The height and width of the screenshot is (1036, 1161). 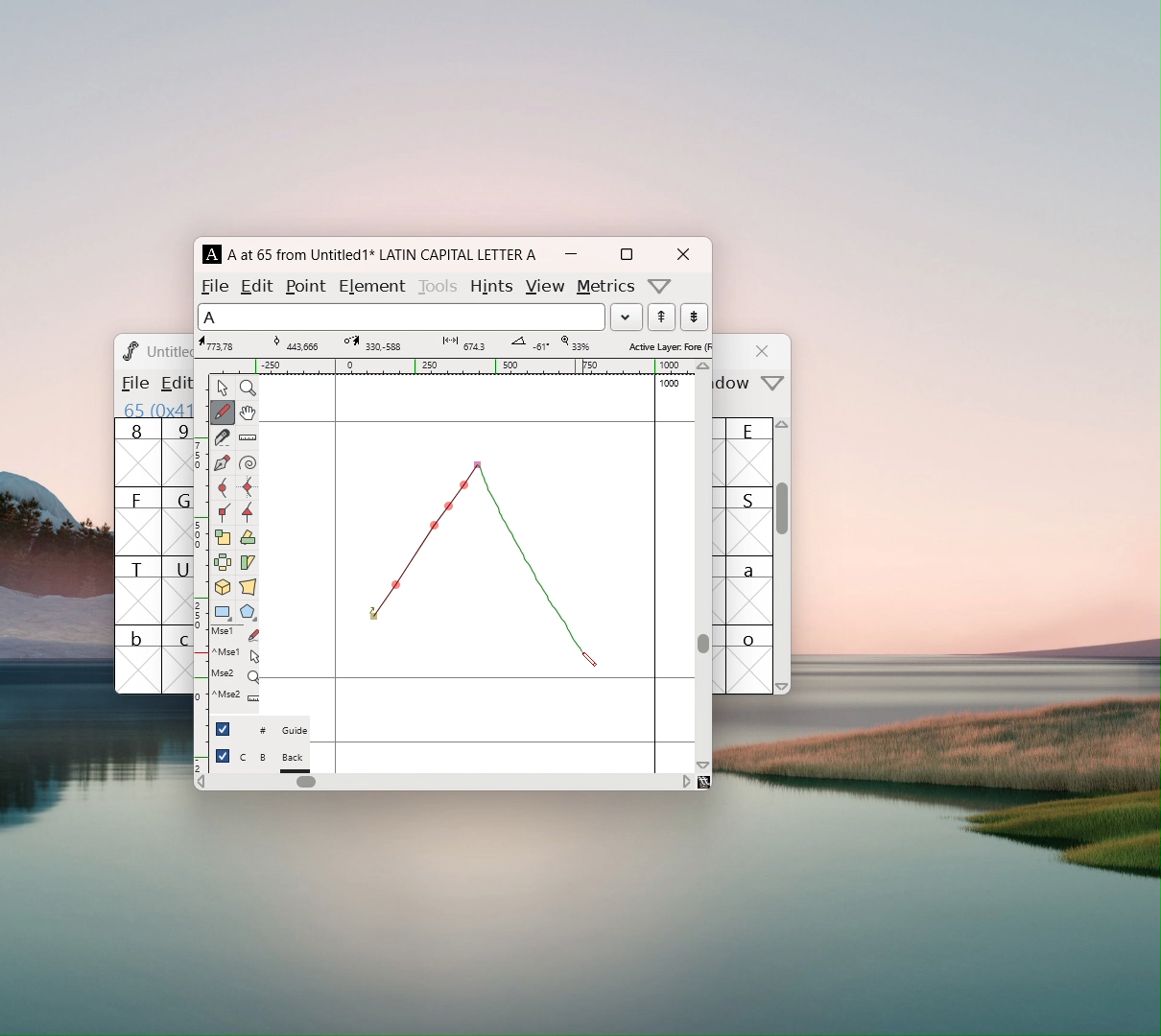 What do you see at coordinates (466, 345) in the screenshot?
I see `distance from starting point` at bounding box center [466, 345].